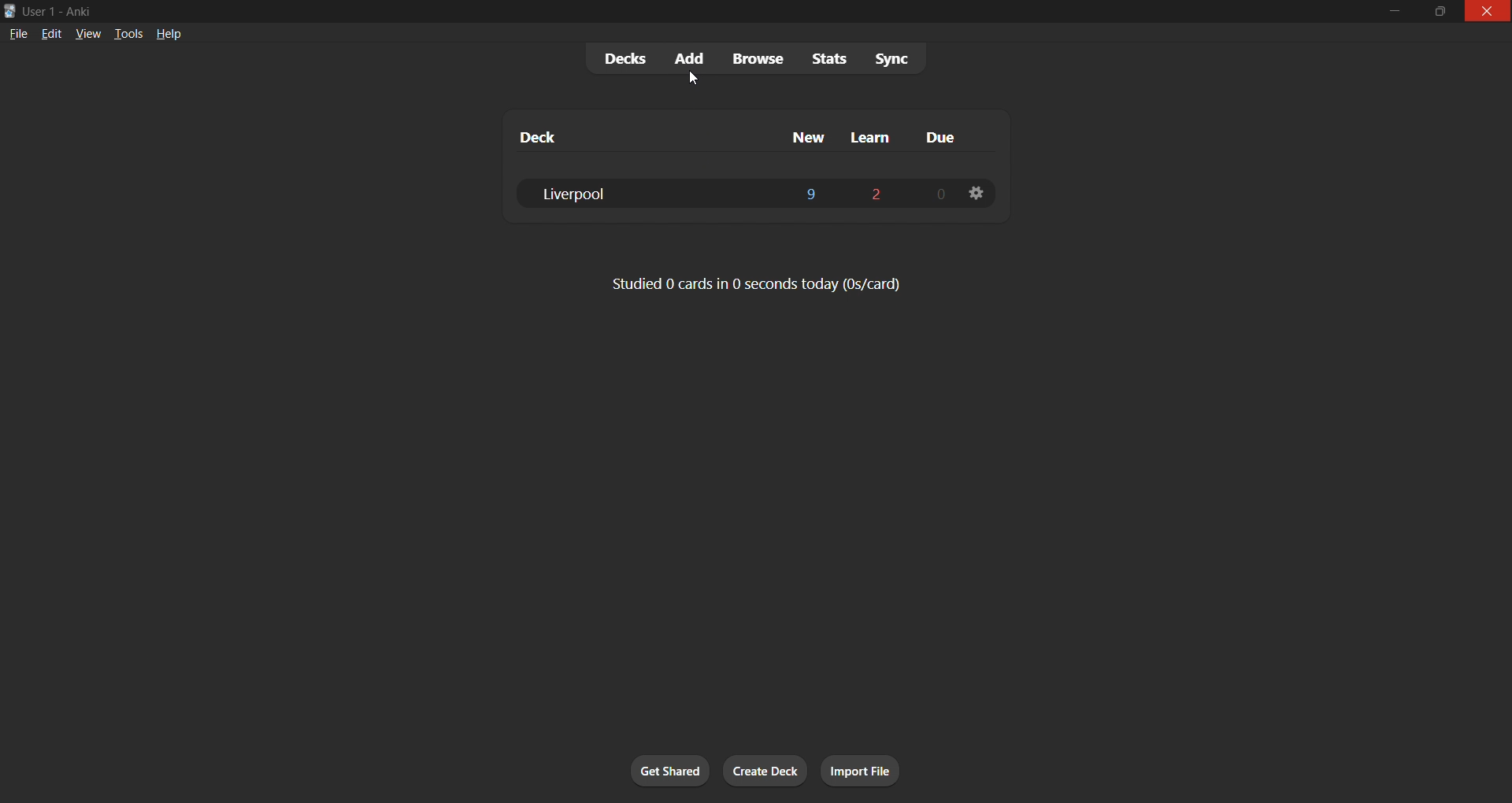 The height and width of the screenshot is (803, 1512). I want to click on minimize, so click(1394, 11).